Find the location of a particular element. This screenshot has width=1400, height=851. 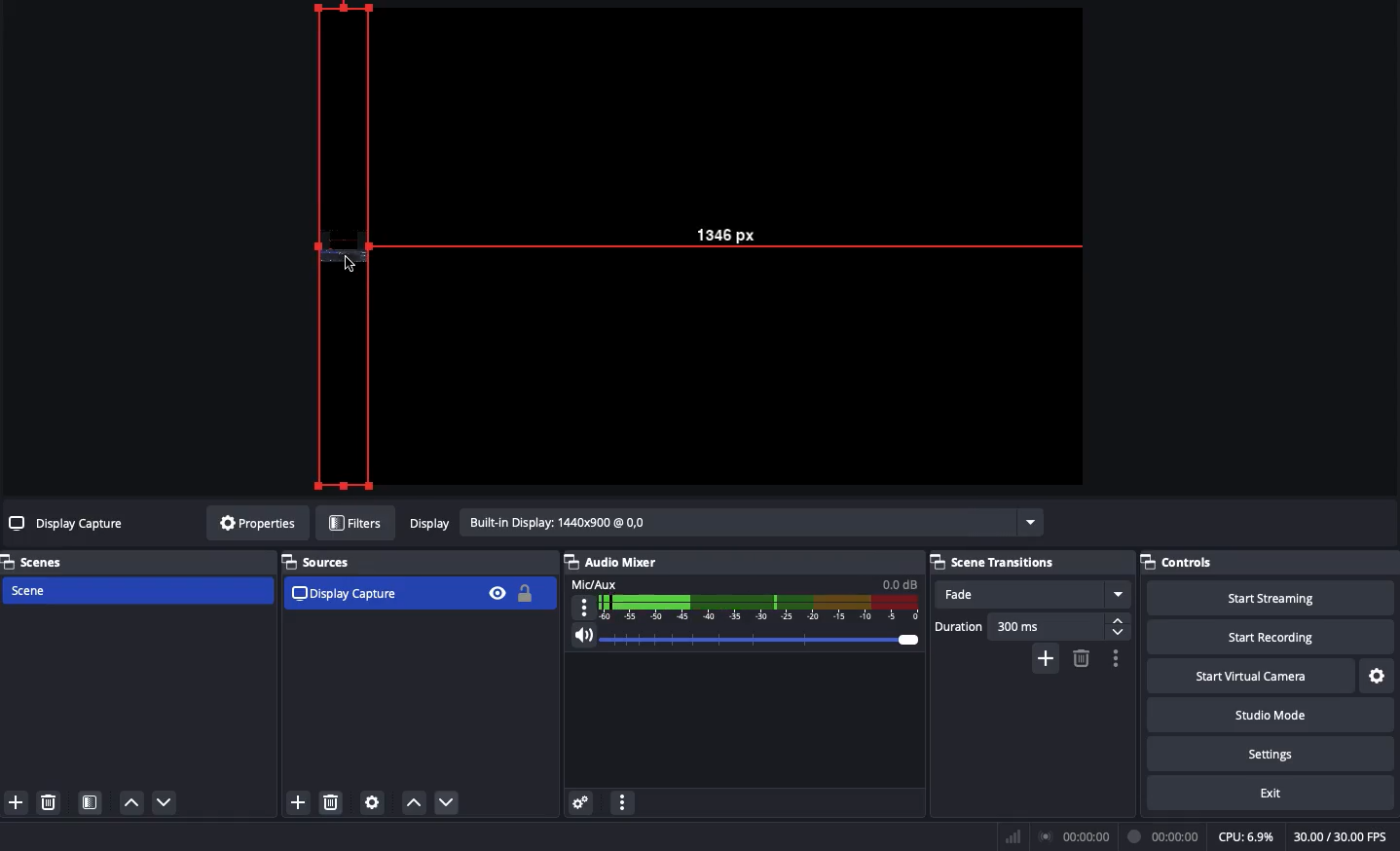

Options is located at coordinates (1113, 658).